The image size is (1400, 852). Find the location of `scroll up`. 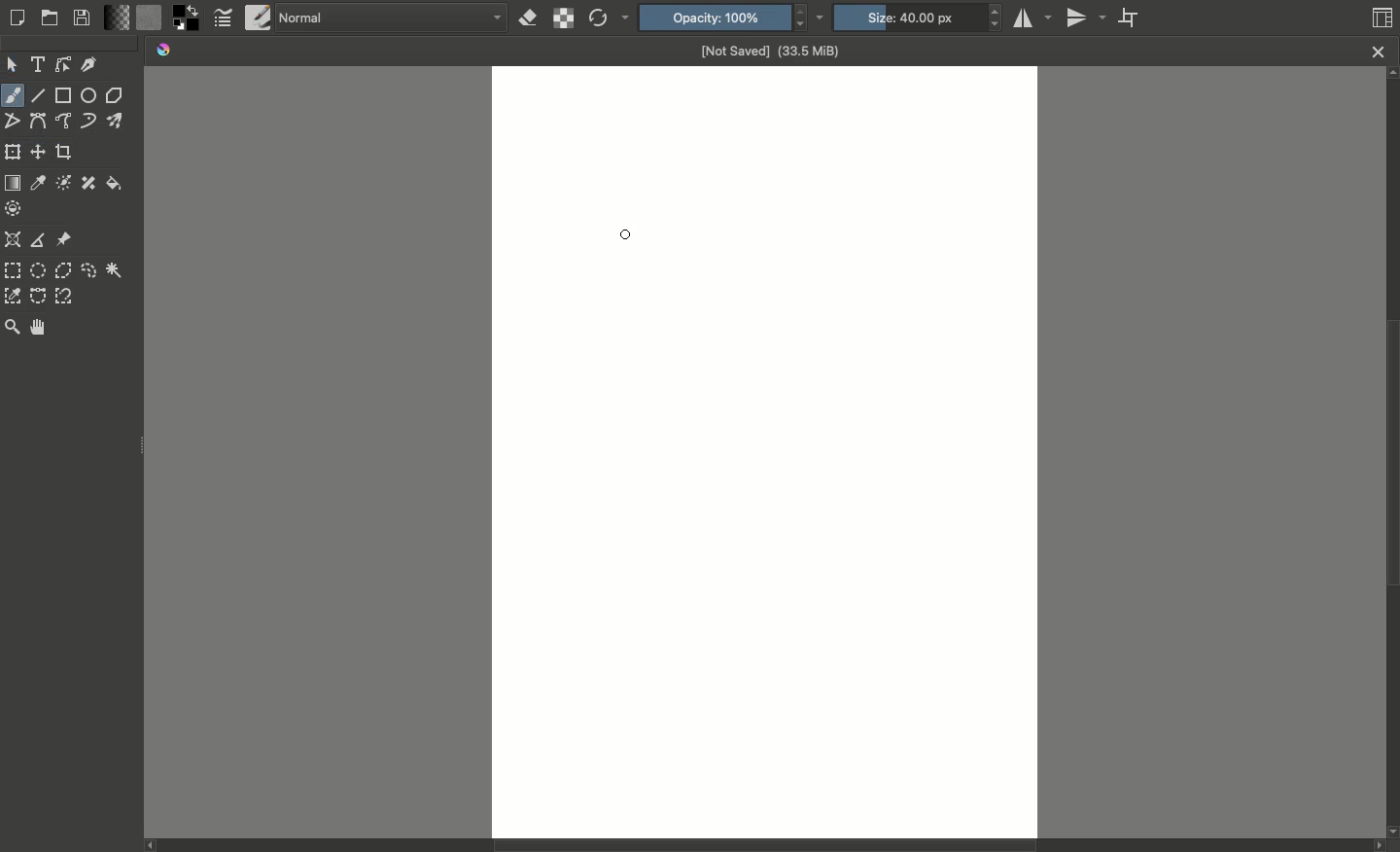

scroll up is located at coordinates (1391, 76).